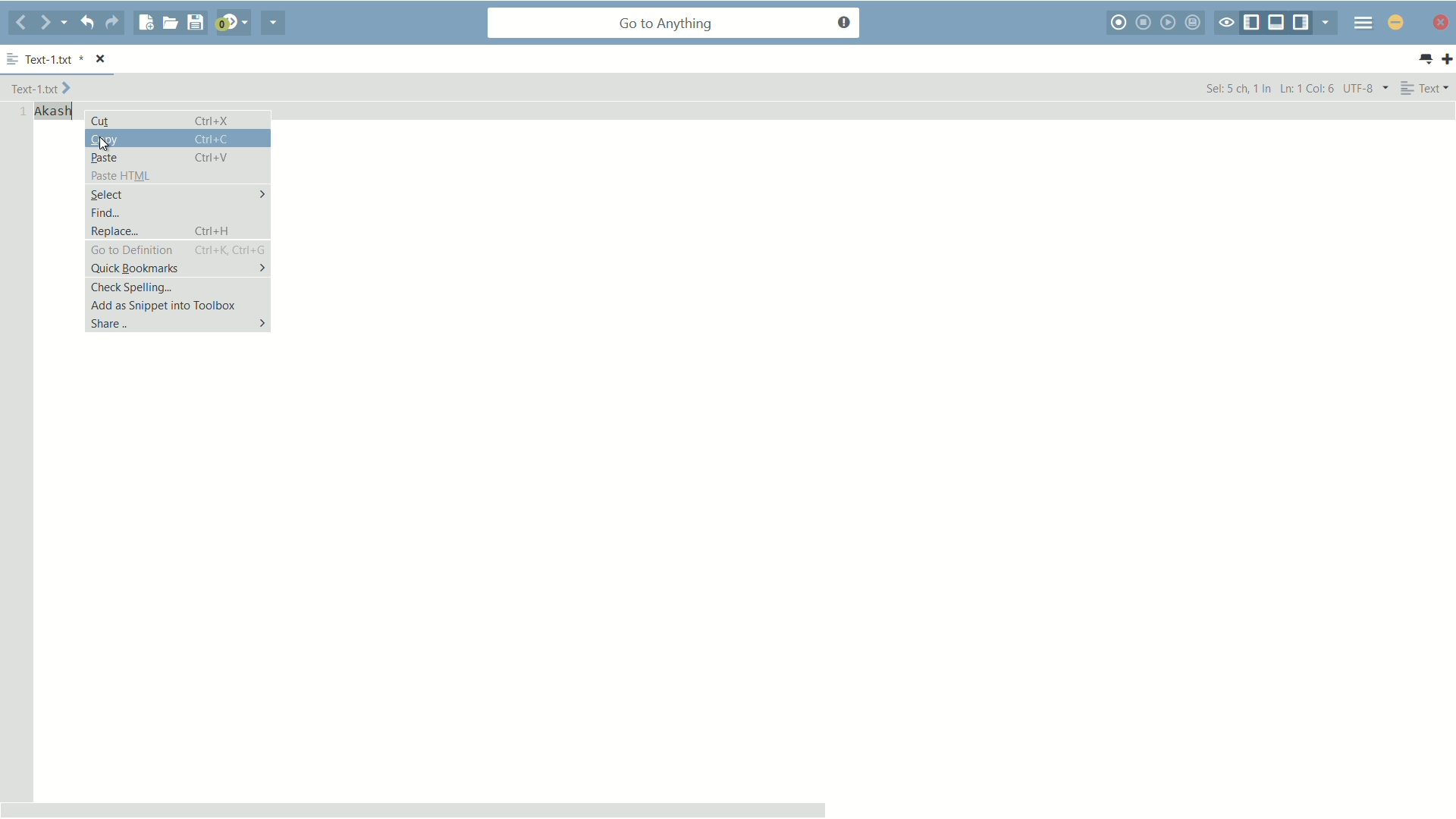  I want to click on hide/show right panel, so click(1303, 23).